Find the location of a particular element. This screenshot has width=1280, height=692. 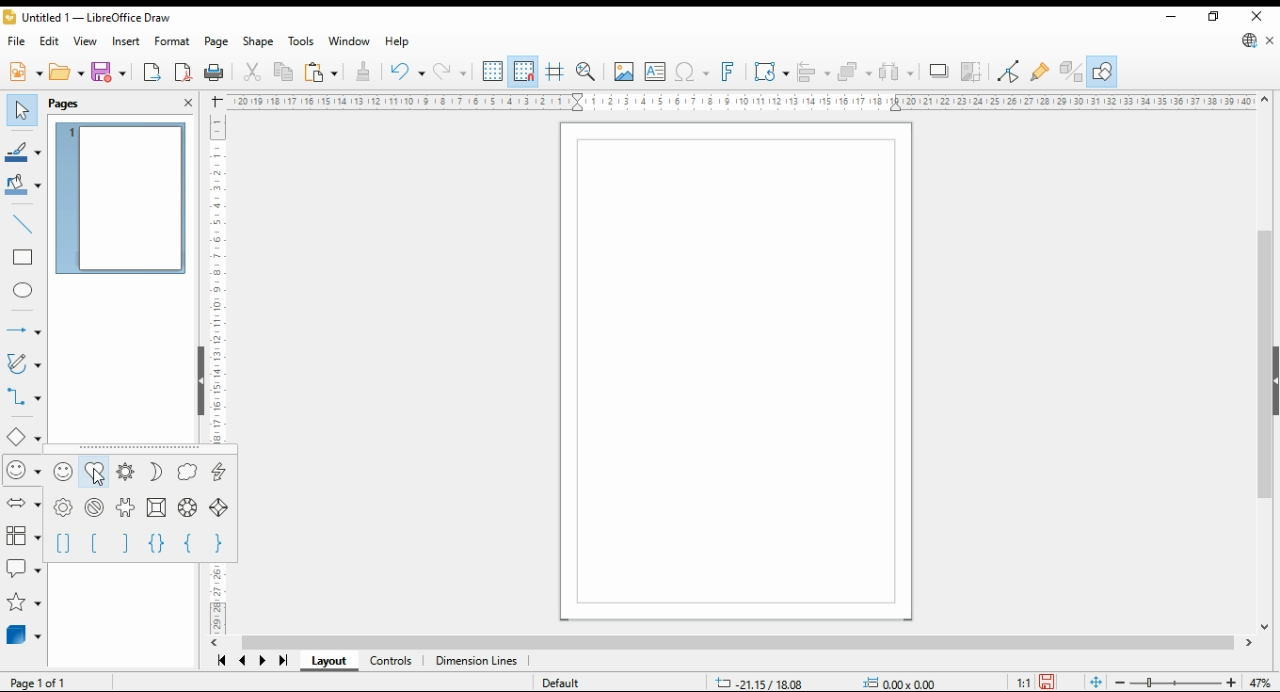

3D objects is located at coordinates (23, 635).